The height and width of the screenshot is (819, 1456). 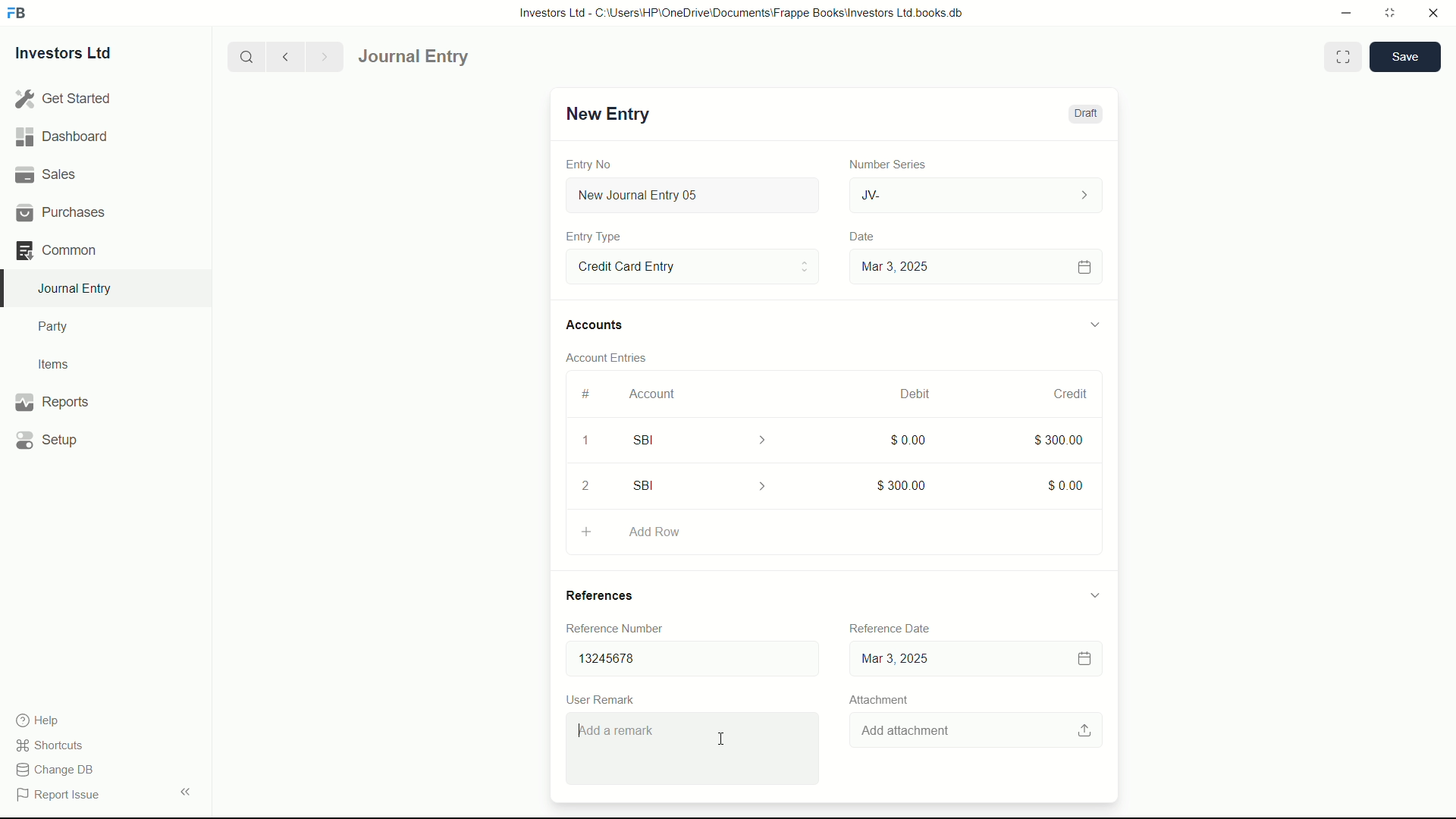 What do you see at coordinates (881, 163) in the screenshot?
I see `Number Series` at bounding box center [881, 163].